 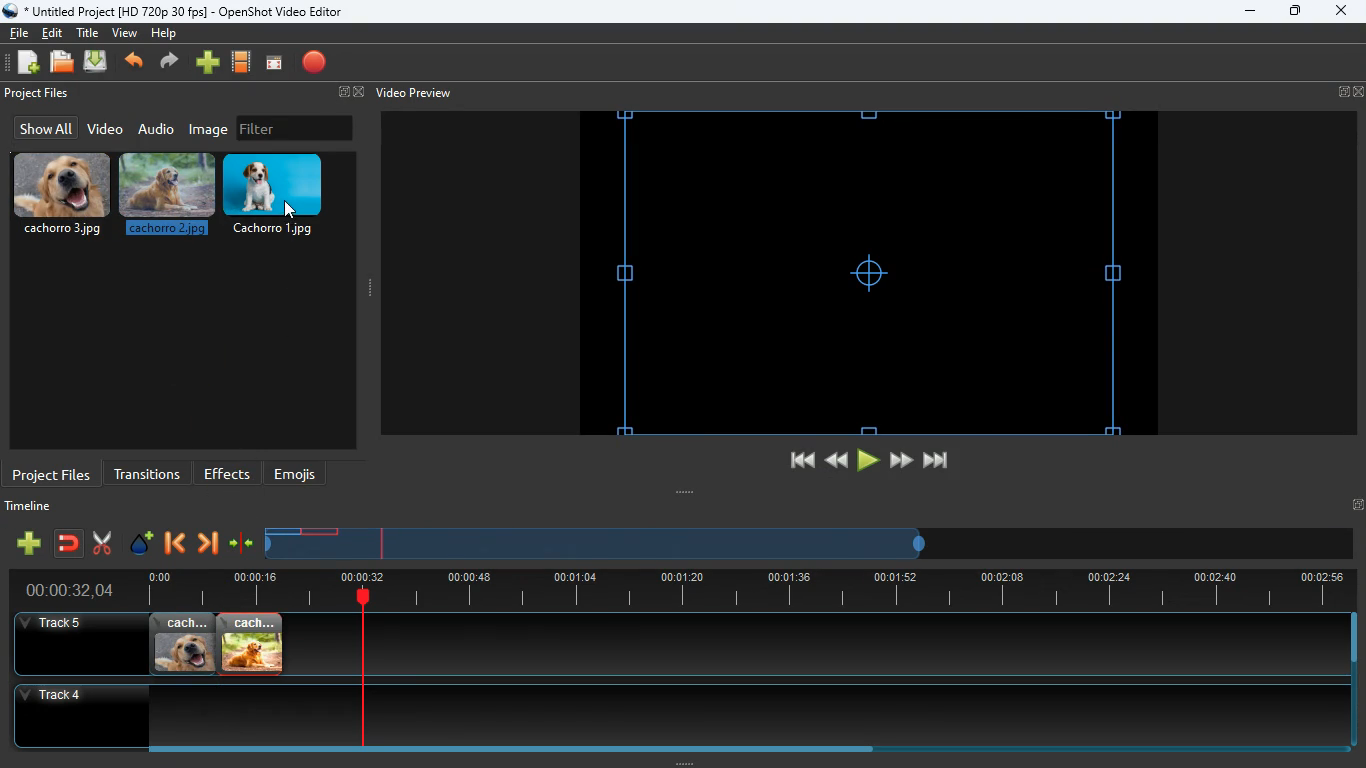 What do you see at coordinates (56, 624) in the screenshot?
I see `track 5` at bounding box center [56, 624].